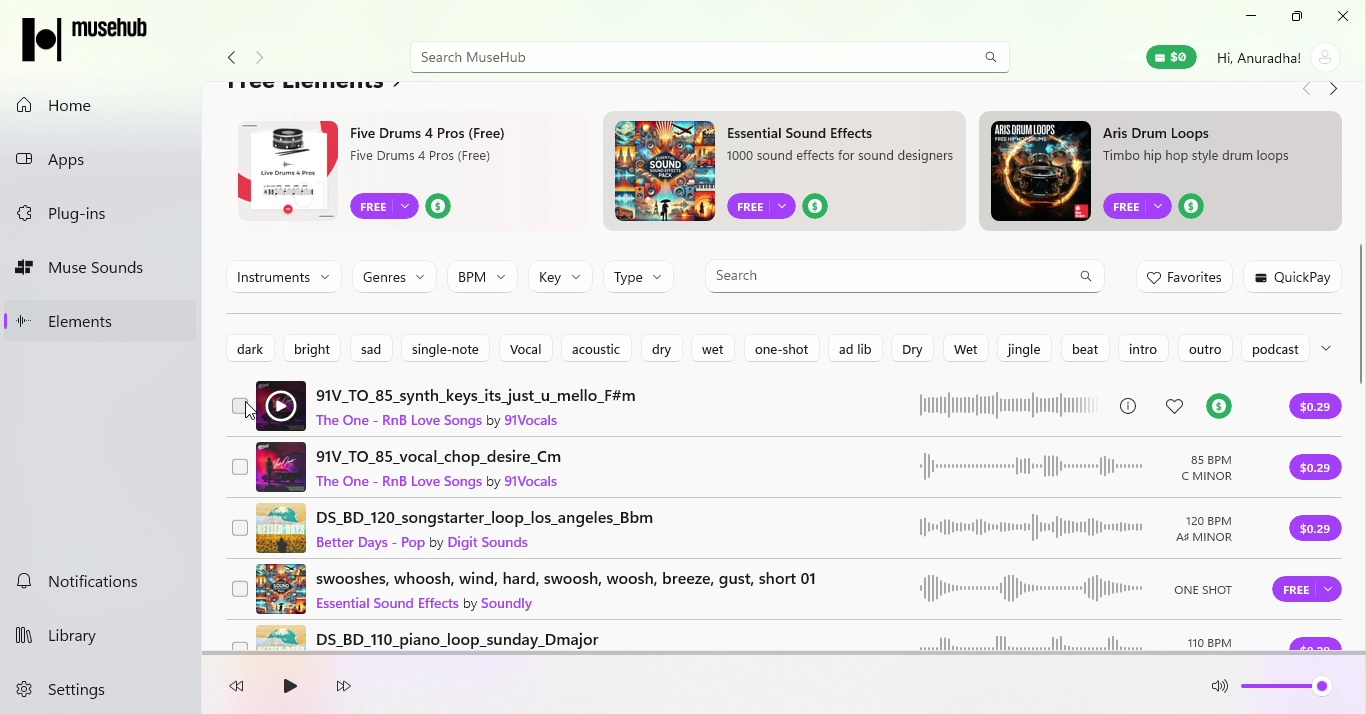 Image resolution: width=1366 pixels, height=714 pixels. I want to click on Minimize, so click(1246, 17).